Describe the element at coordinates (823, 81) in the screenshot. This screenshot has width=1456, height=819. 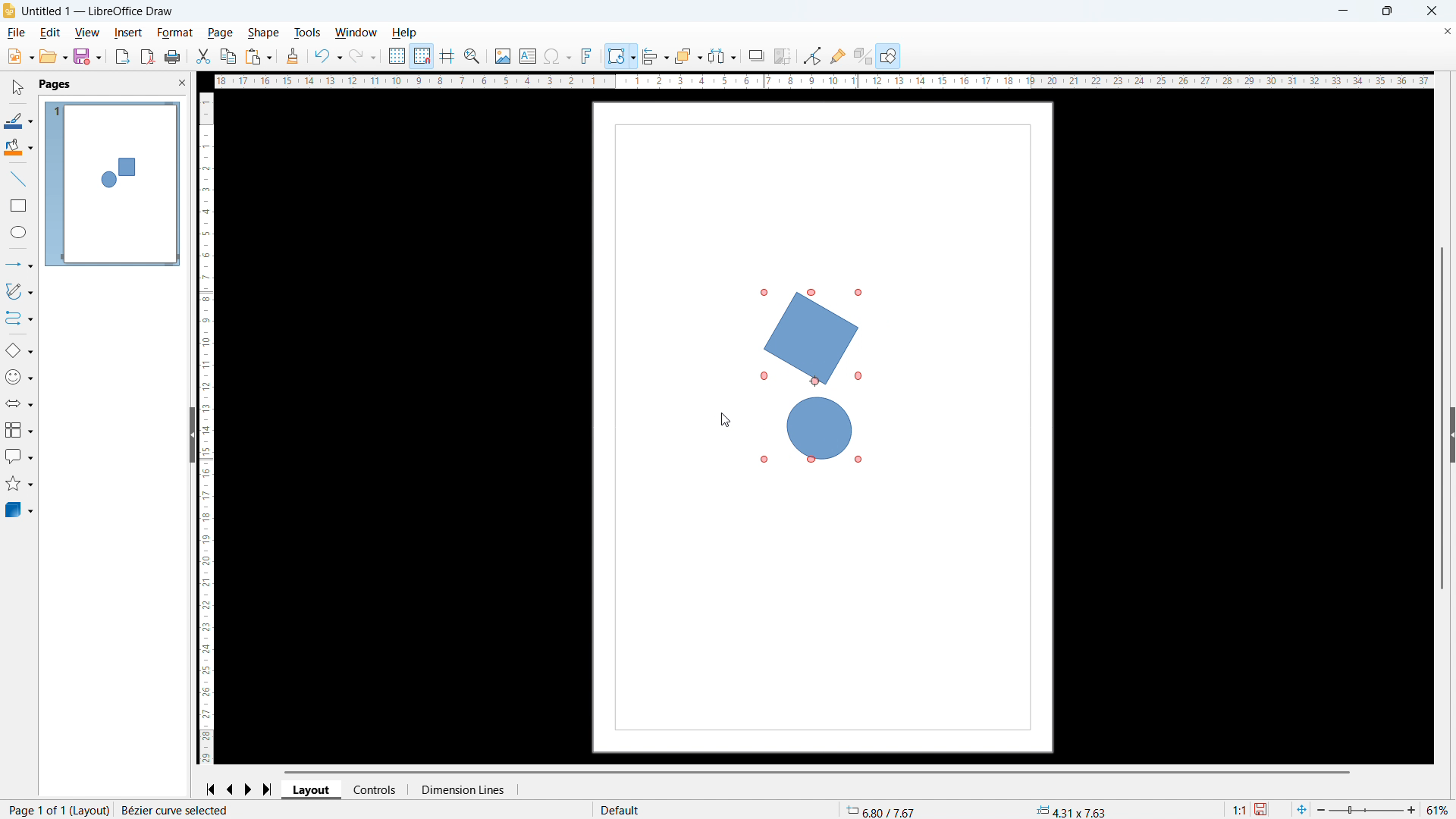
I see `Horizontal ruler ` at that location.